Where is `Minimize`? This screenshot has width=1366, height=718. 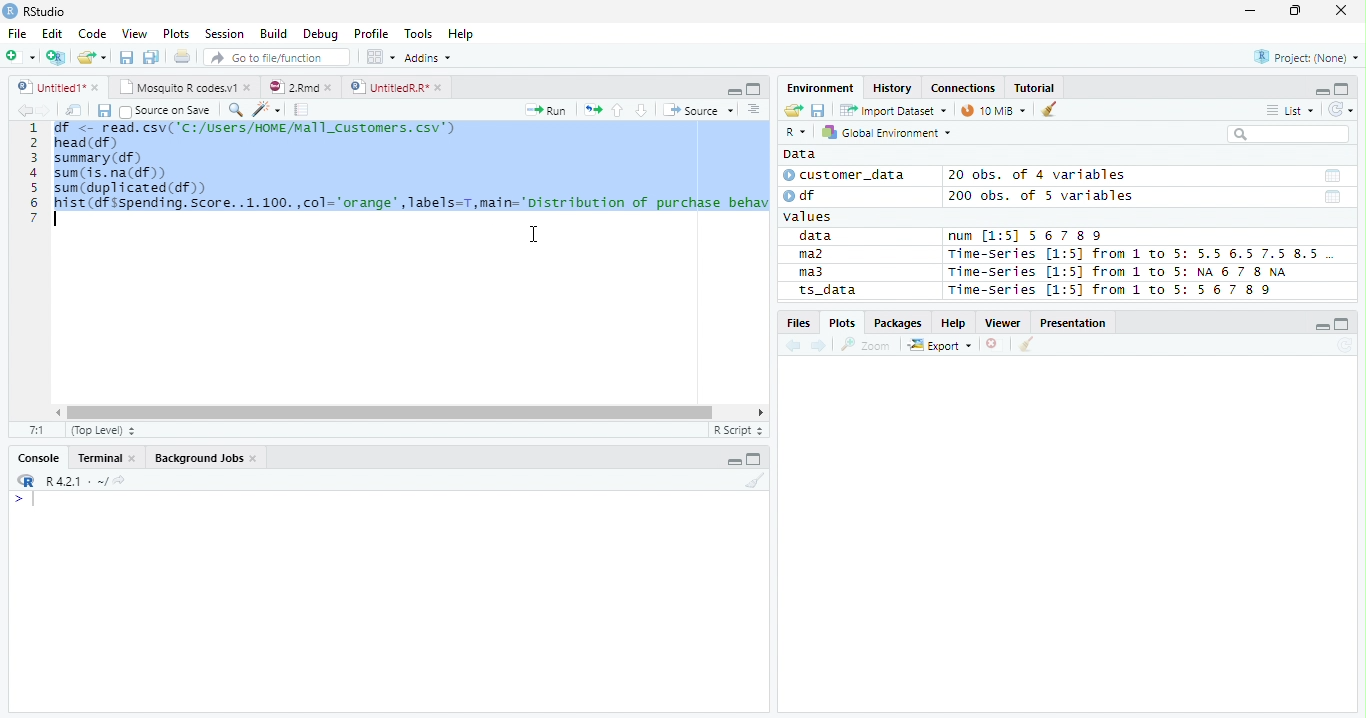
Minimize is located at coordinates (735, 459).